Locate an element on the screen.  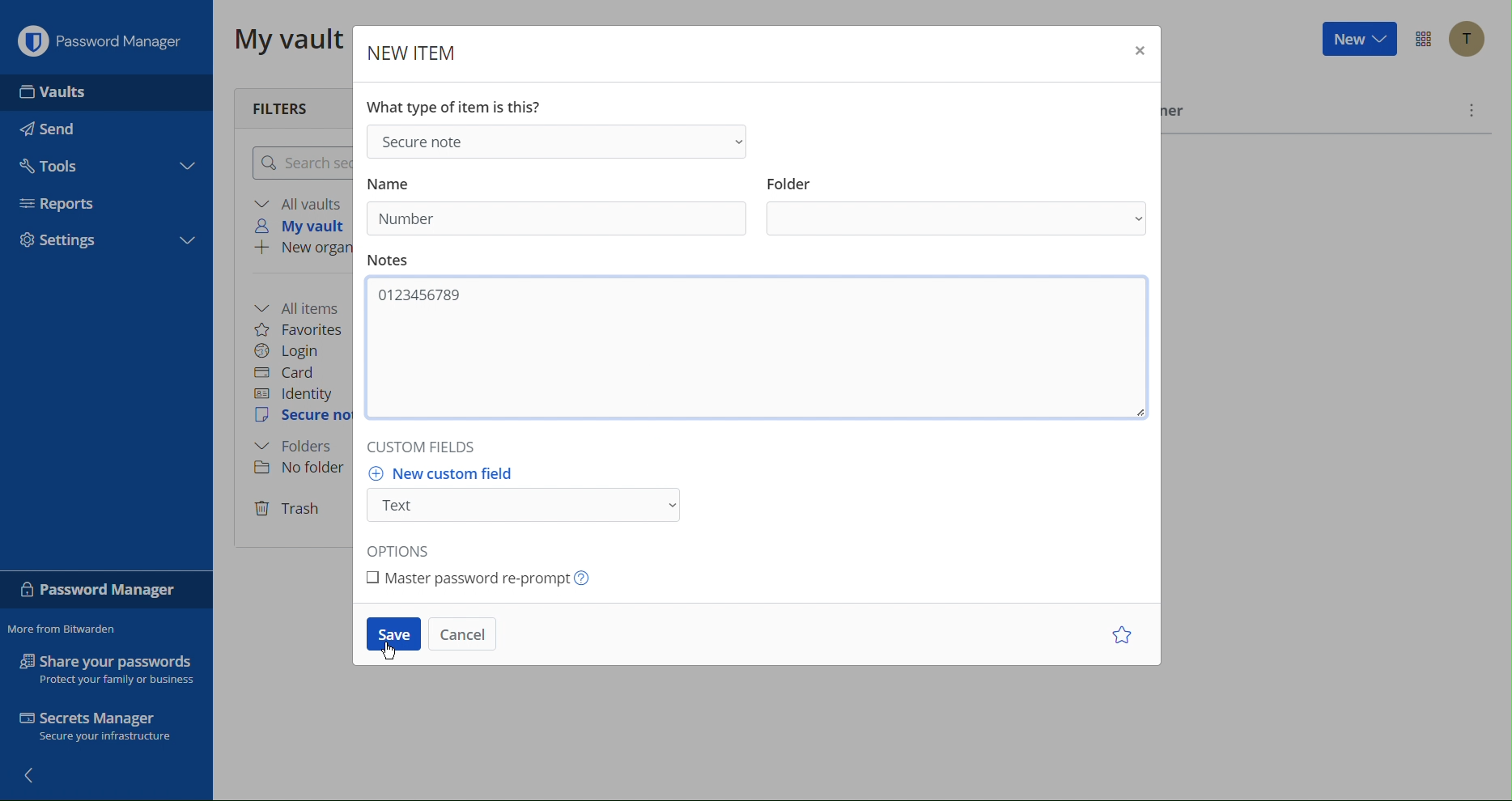
Account is located at coordinates (1466, 39).